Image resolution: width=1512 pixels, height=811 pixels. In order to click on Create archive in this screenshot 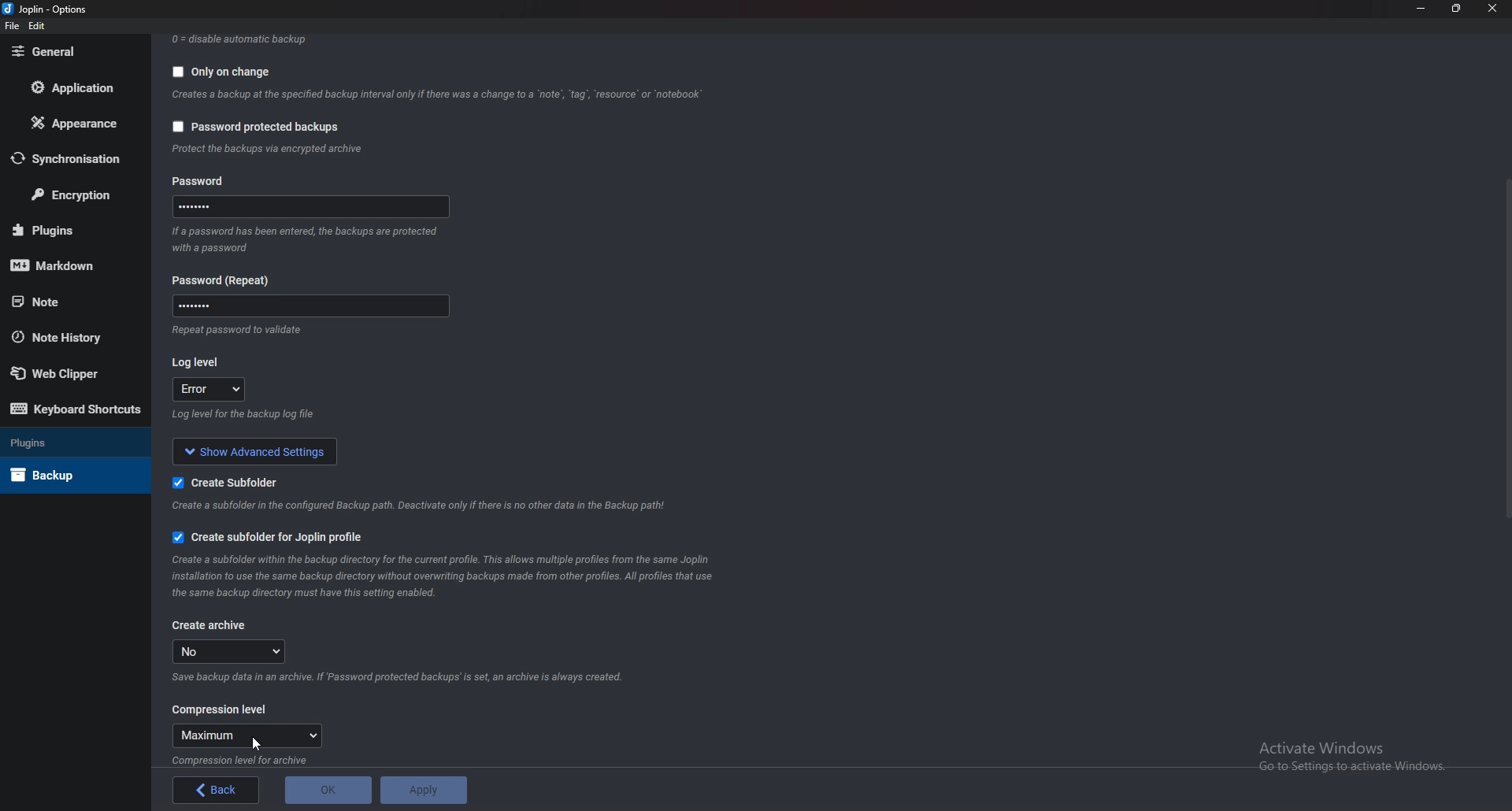, I will do `click(214, 625)`.